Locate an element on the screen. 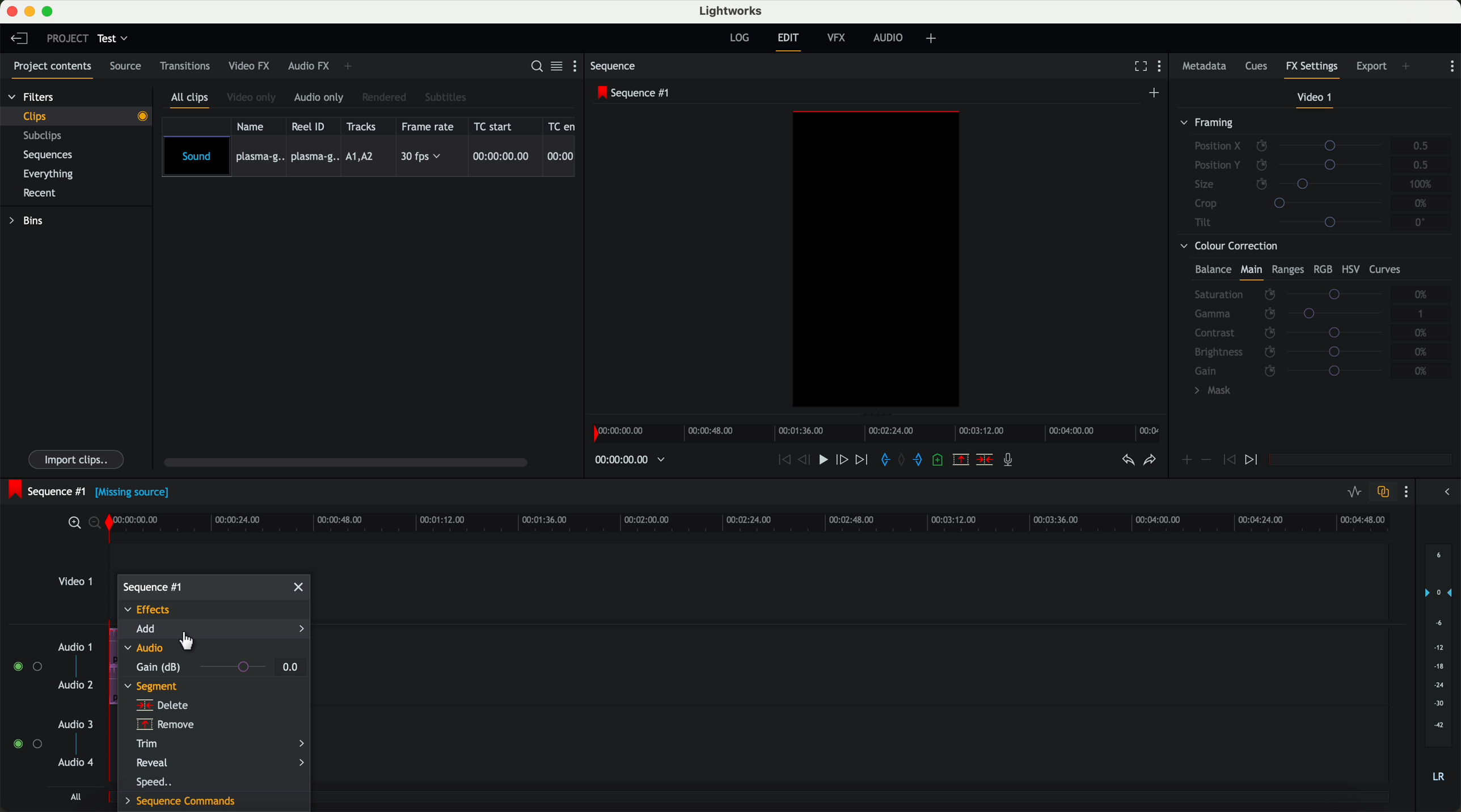 This screenshot has width=1461, height=812. zoom out is located at coordinates (98, 525).